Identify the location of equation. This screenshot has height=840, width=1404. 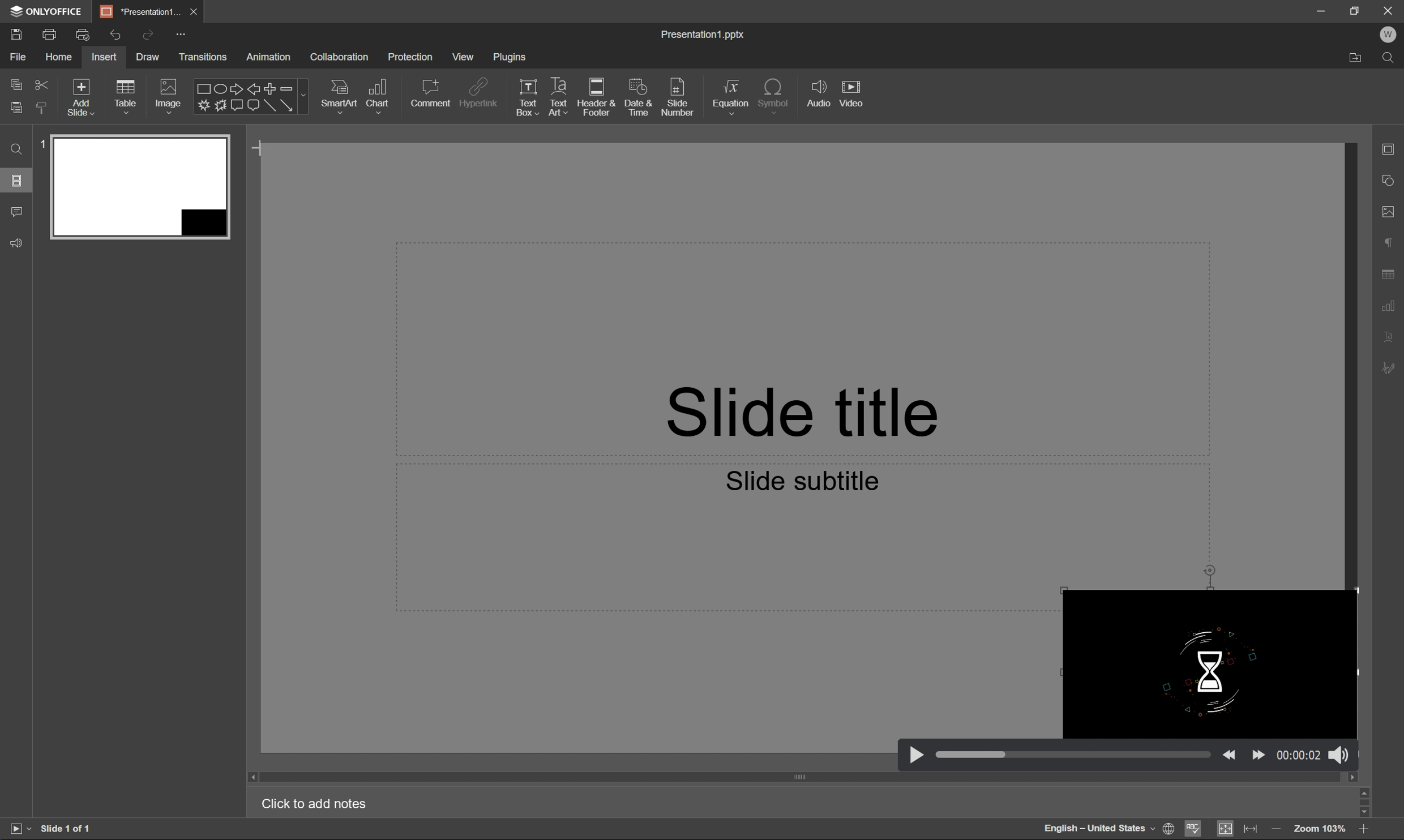
(731, 97).